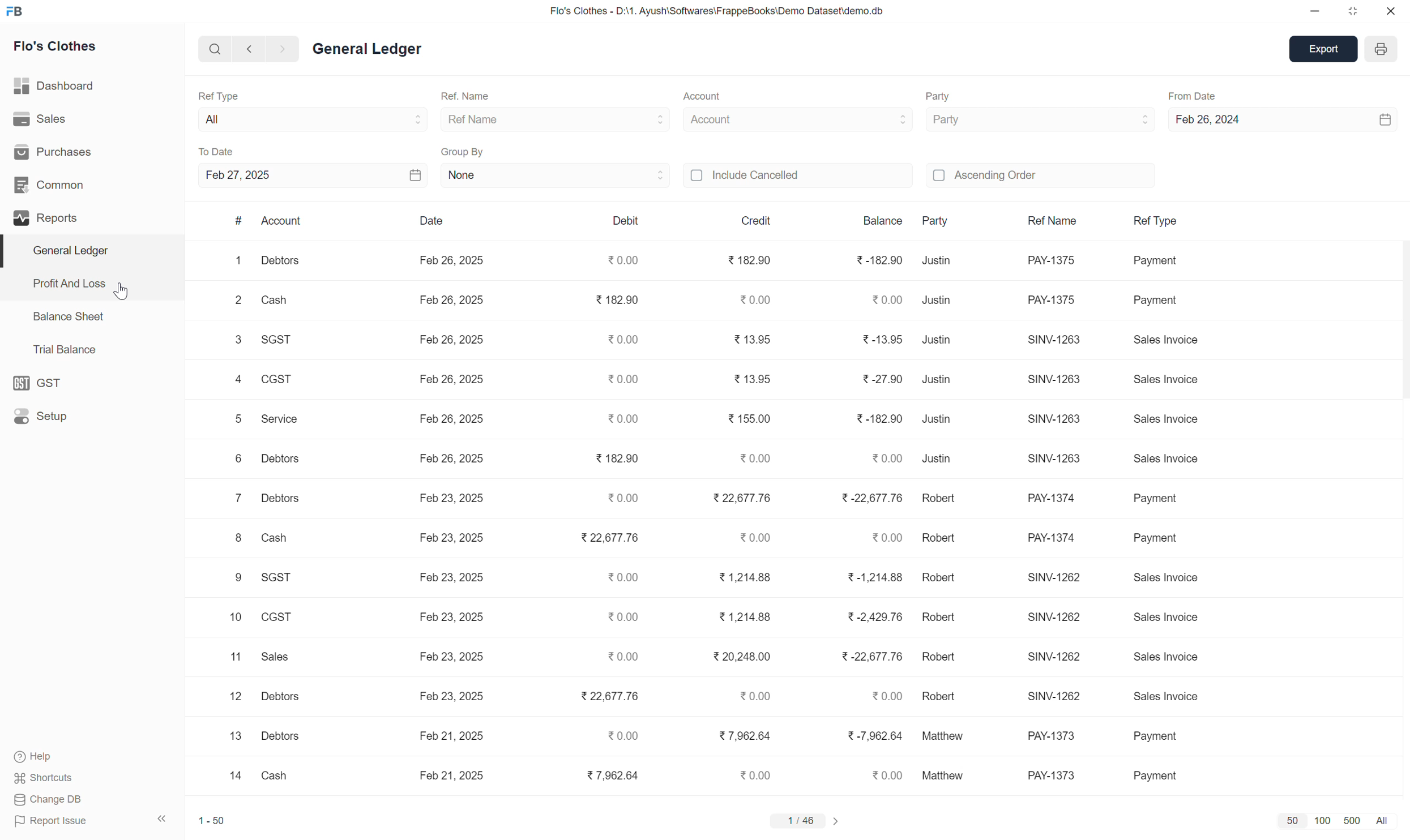 The width and height of the screenshot is (1410, 840). What do you see at coordinates (478, 179) in the screenshot?
I see `None` at bounding box center [478, 179].